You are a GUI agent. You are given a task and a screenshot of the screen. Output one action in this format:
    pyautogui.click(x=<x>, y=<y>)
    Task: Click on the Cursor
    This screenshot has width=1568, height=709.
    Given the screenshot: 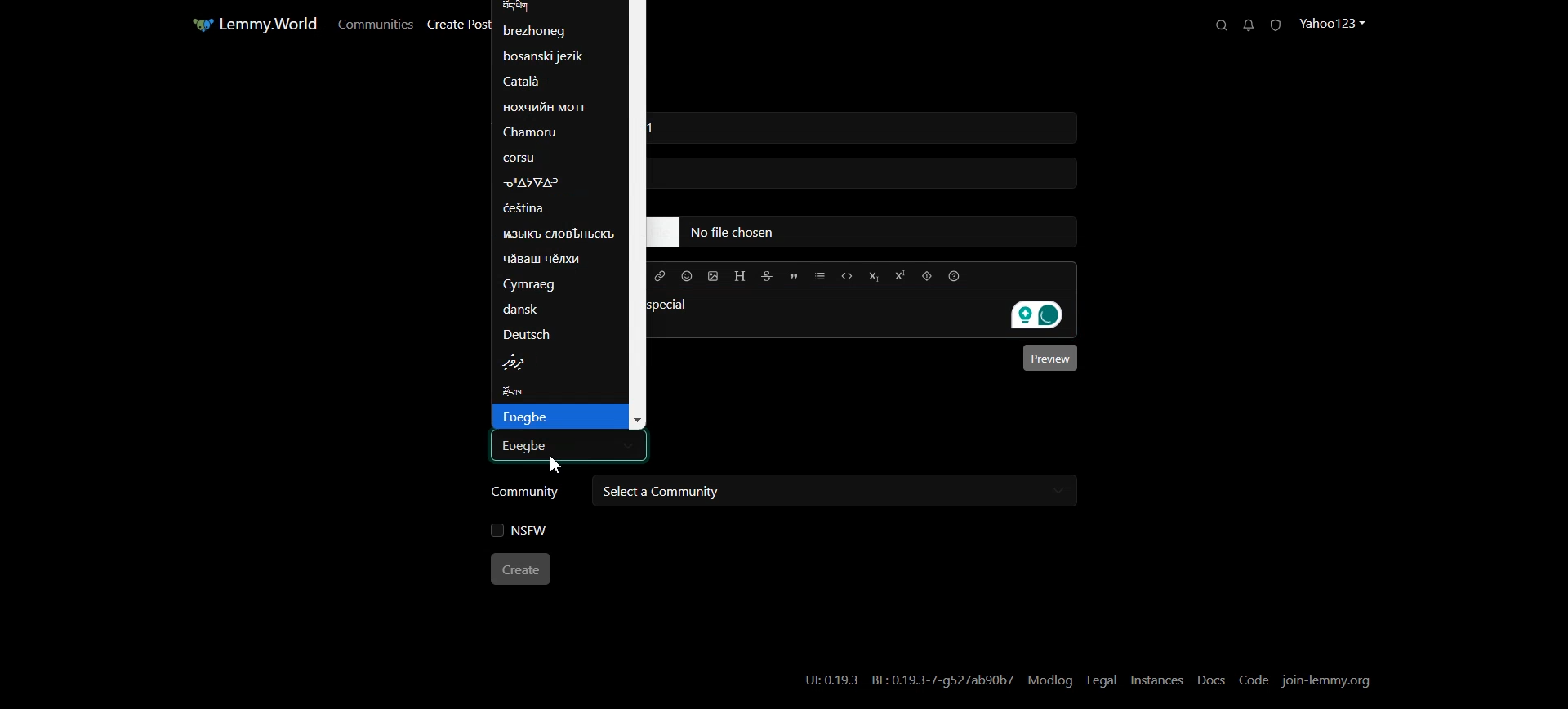 What is the action you would take?
    pyautogui.click(x=557, y=466)
    